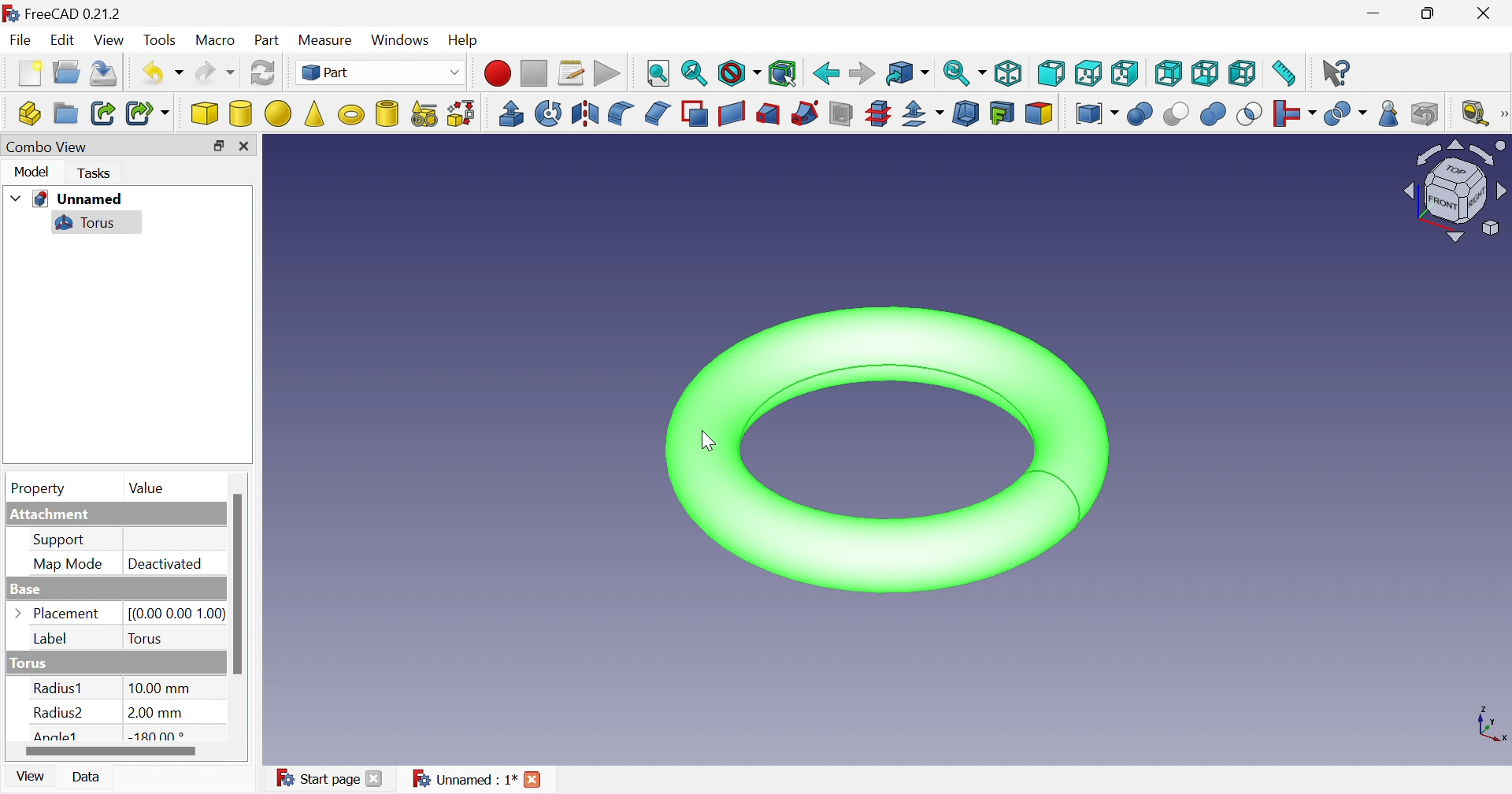  What do you see at coordinates (1124, 72) in the screenshot?
I see `Right` at bounding box center [1124, 72].